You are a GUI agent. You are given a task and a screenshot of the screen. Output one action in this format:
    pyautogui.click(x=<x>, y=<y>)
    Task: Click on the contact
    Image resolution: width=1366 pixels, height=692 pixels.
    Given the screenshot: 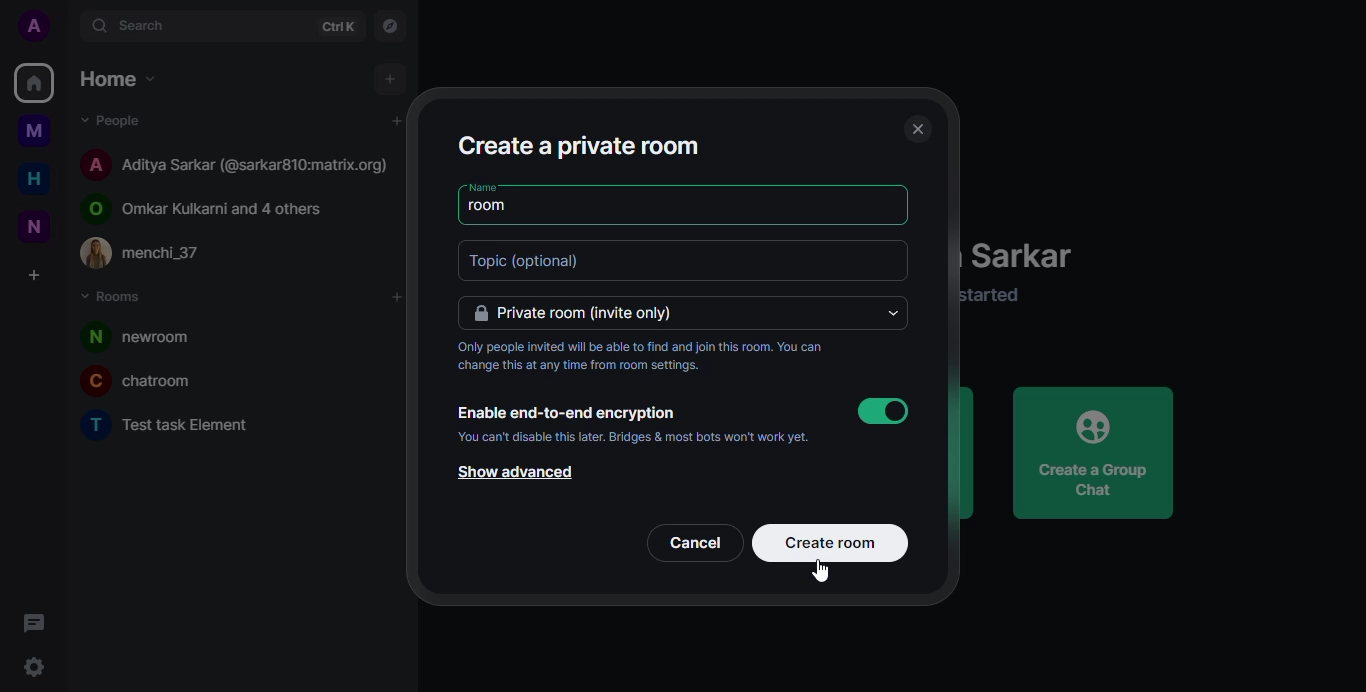 What is the action you would take?
    pyautogui.click(x=156, y=255)
    